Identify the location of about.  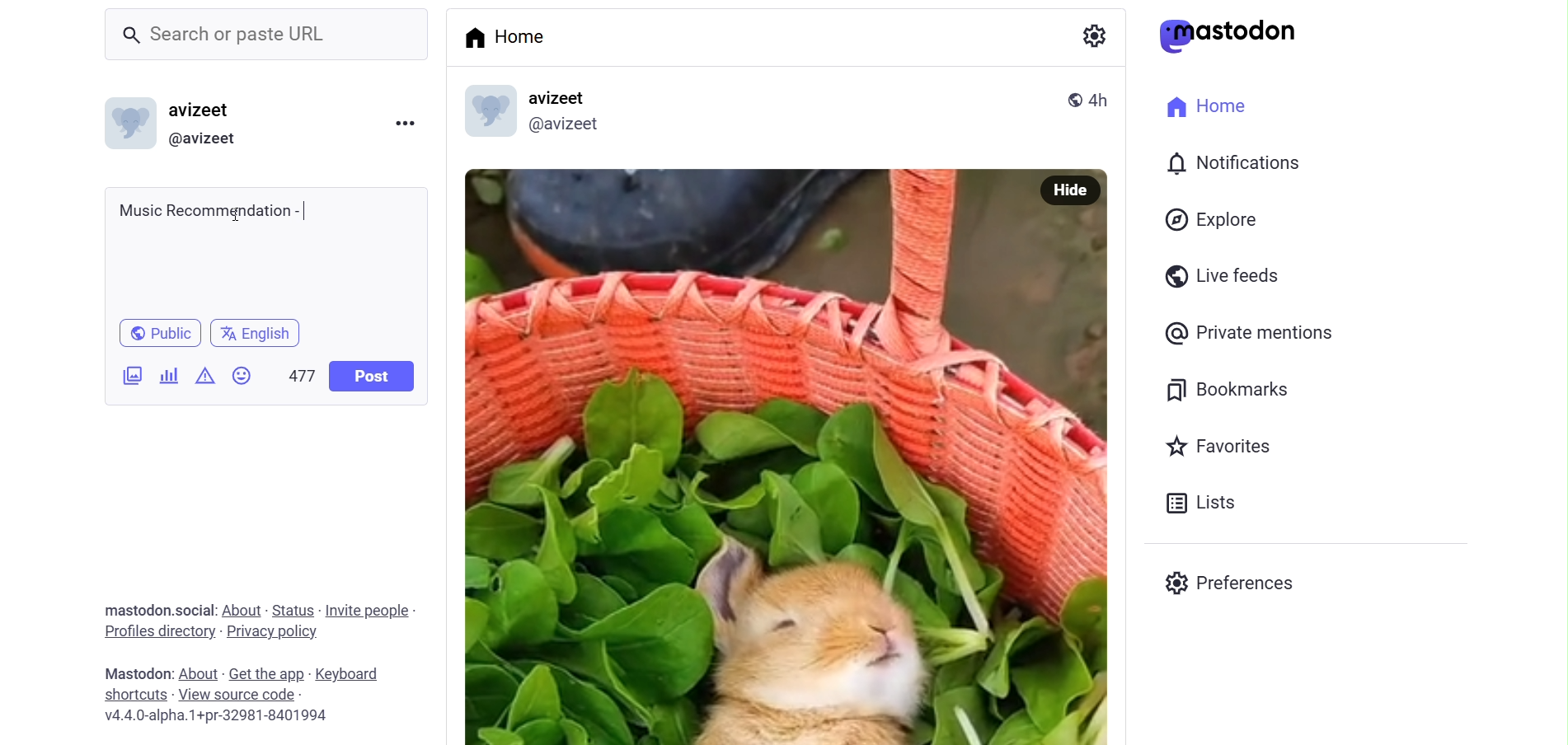
(241, 610).